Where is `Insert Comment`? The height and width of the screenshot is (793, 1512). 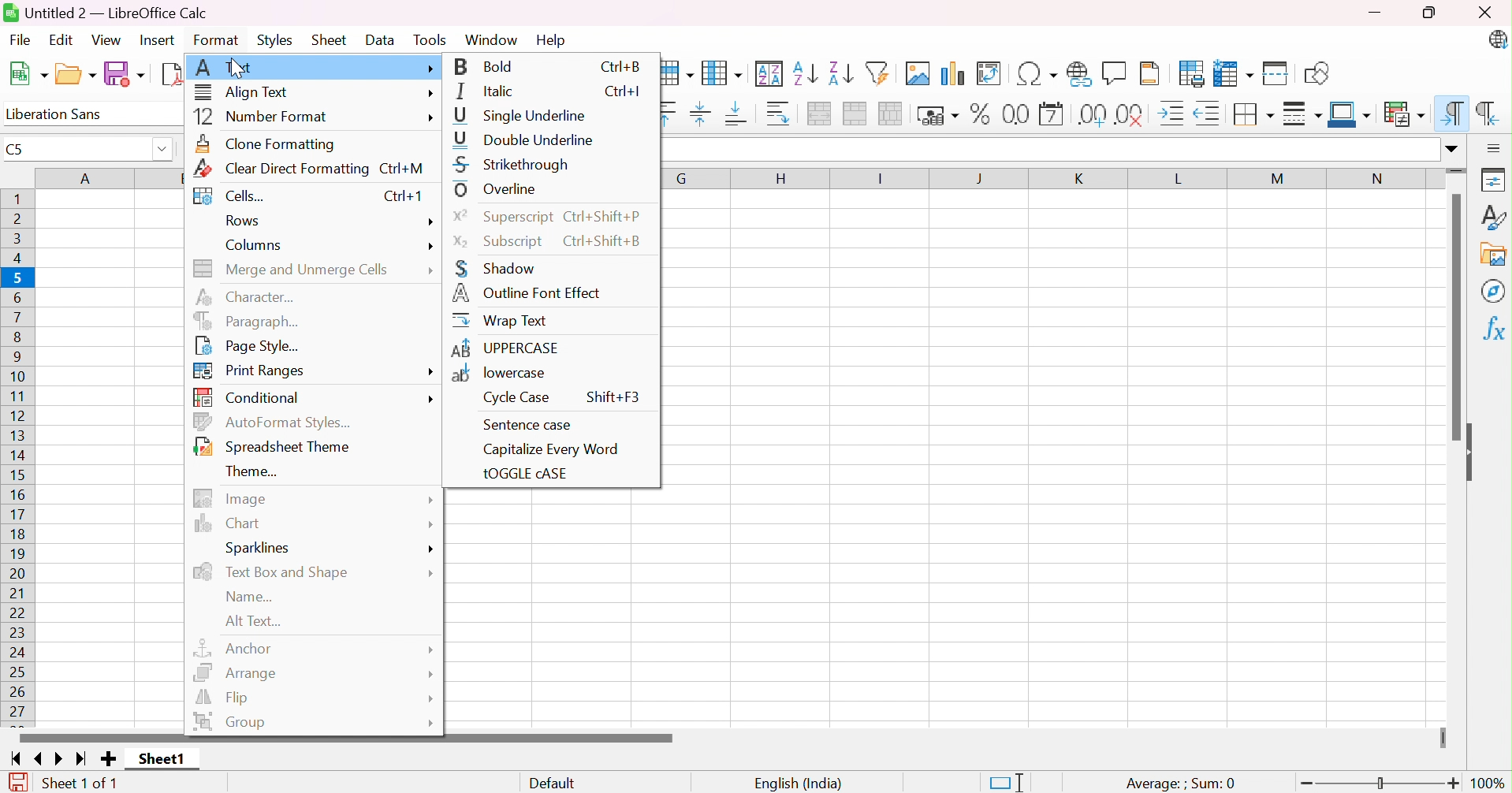
Insert Comment is located at coordinates (1114, 73).